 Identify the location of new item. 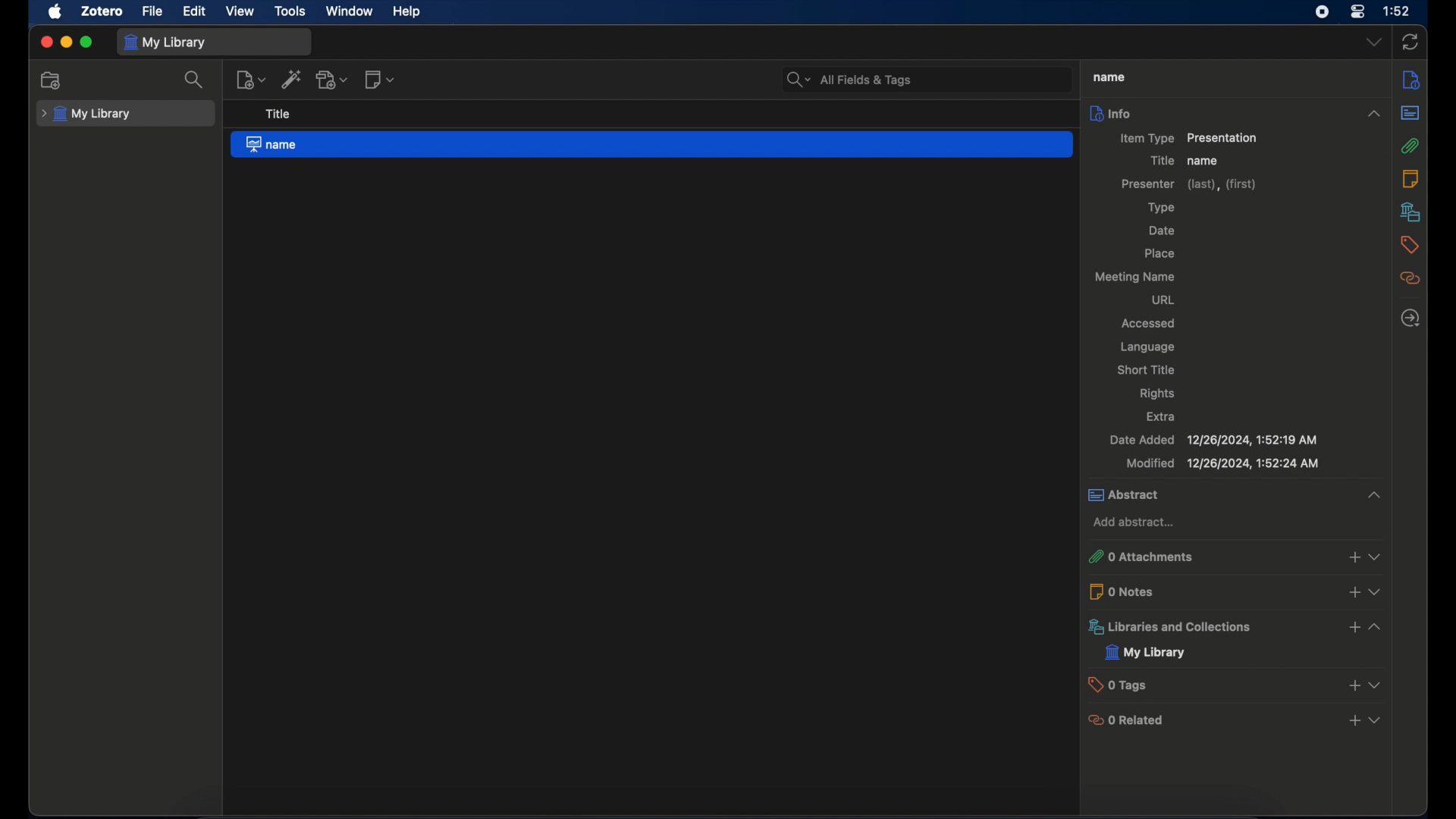
(249, 80).